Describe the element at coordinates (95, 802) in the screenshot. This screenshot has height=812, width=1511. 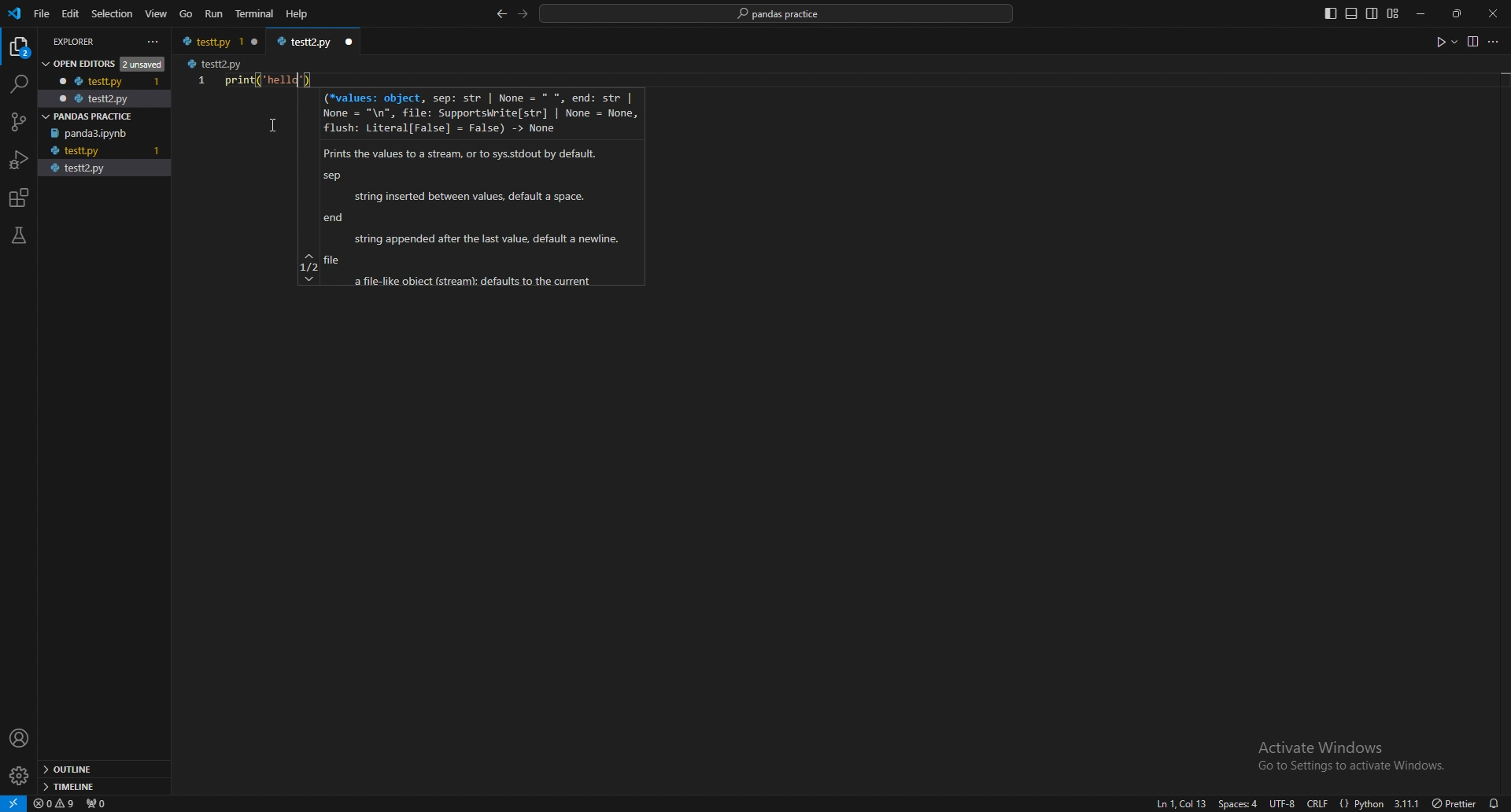
I see `ports forwarded` at that location.